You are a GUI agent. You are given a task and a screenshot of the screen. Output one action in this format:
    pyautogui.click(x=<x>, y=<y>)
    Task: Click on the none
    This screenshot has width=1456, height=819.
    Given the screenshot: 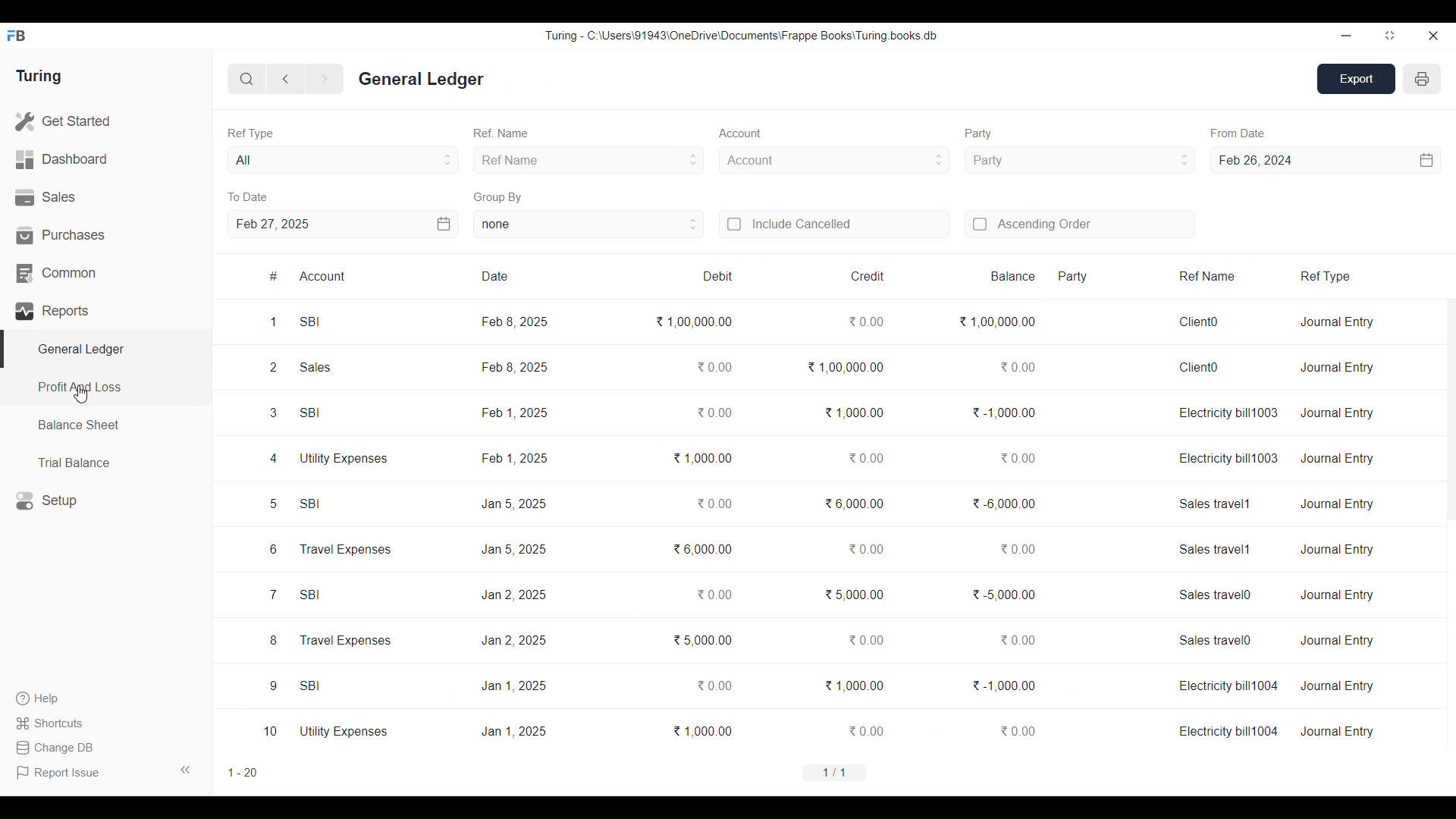 What is the action you would take?
    pyautogui.click(x=589, y=224)
    